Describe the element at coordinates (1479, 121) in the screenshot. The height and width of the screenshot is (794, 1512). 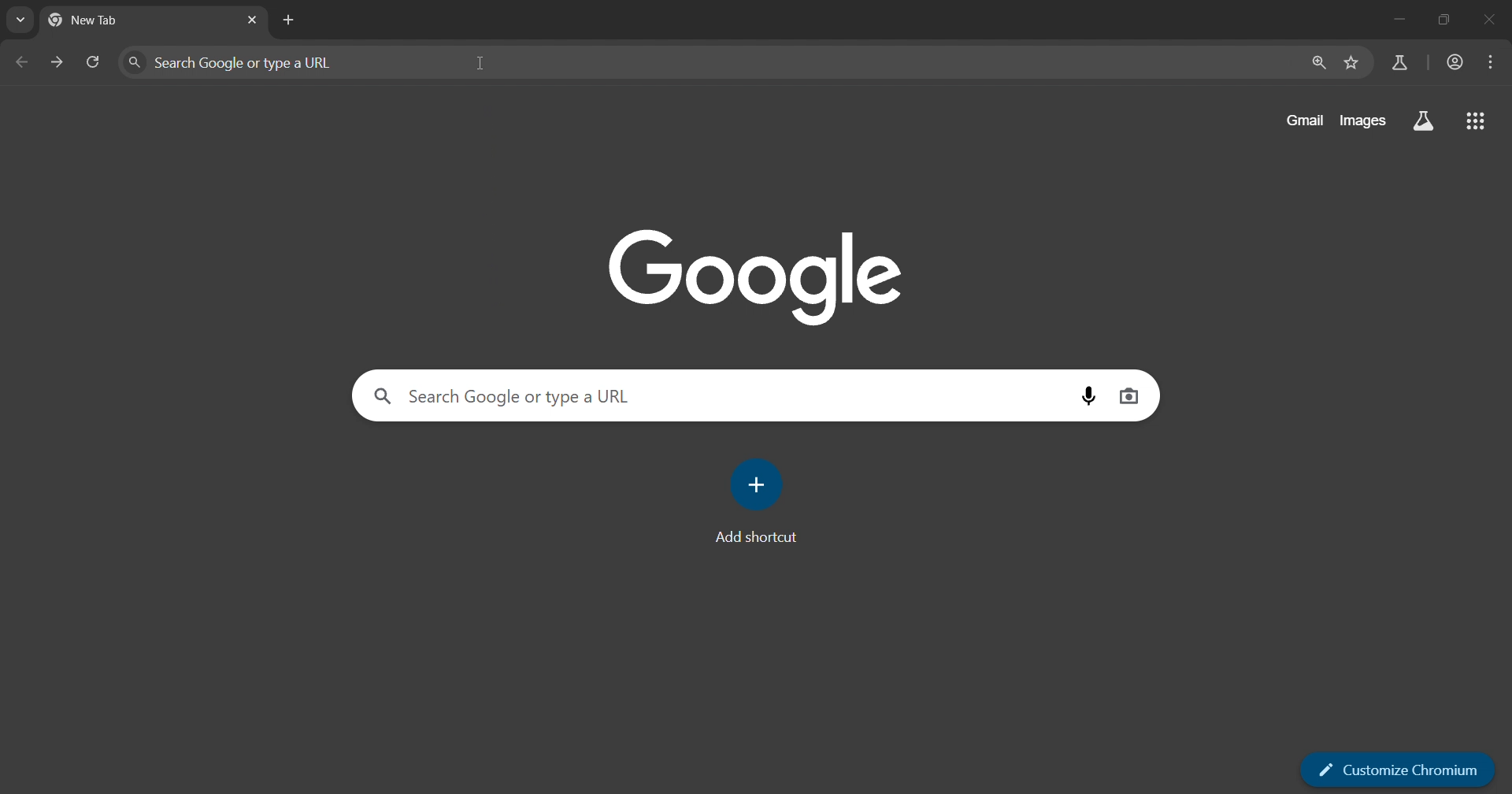
I see `google apps` at that location.